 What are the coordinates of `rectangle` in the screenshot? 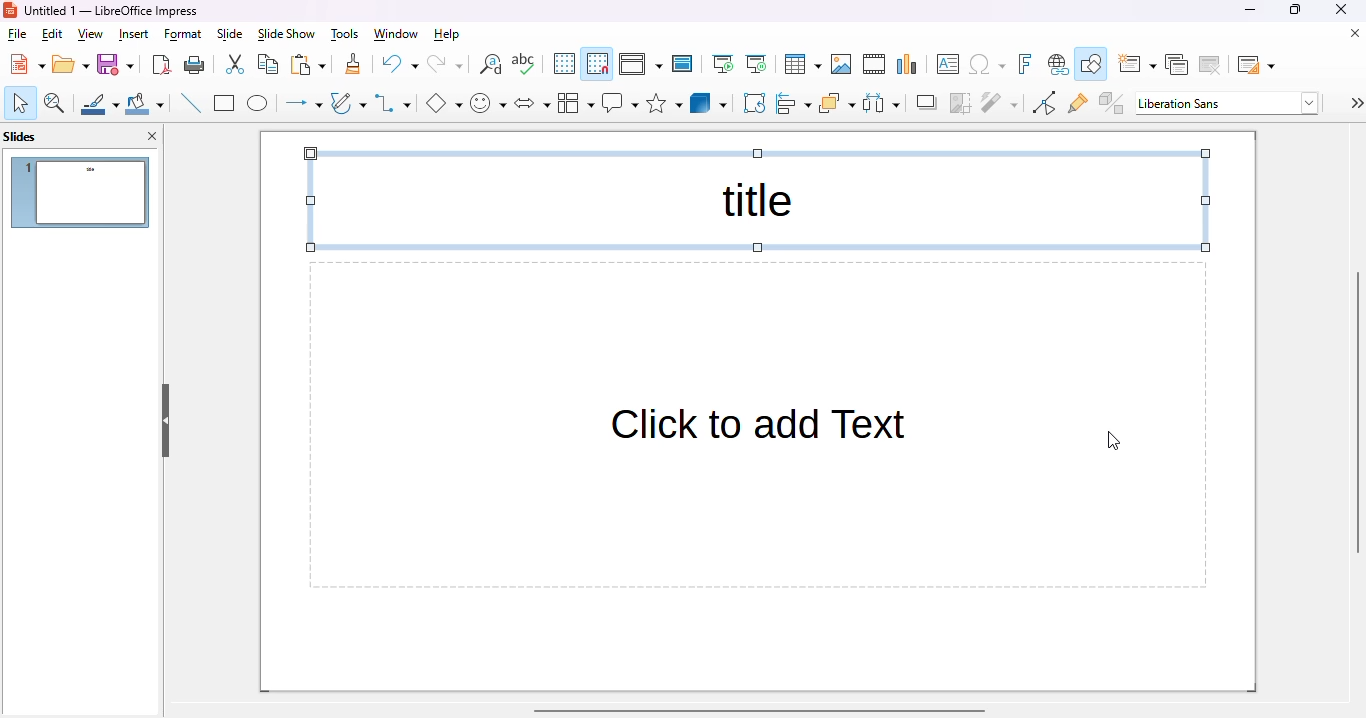 It's located at (225, 103).